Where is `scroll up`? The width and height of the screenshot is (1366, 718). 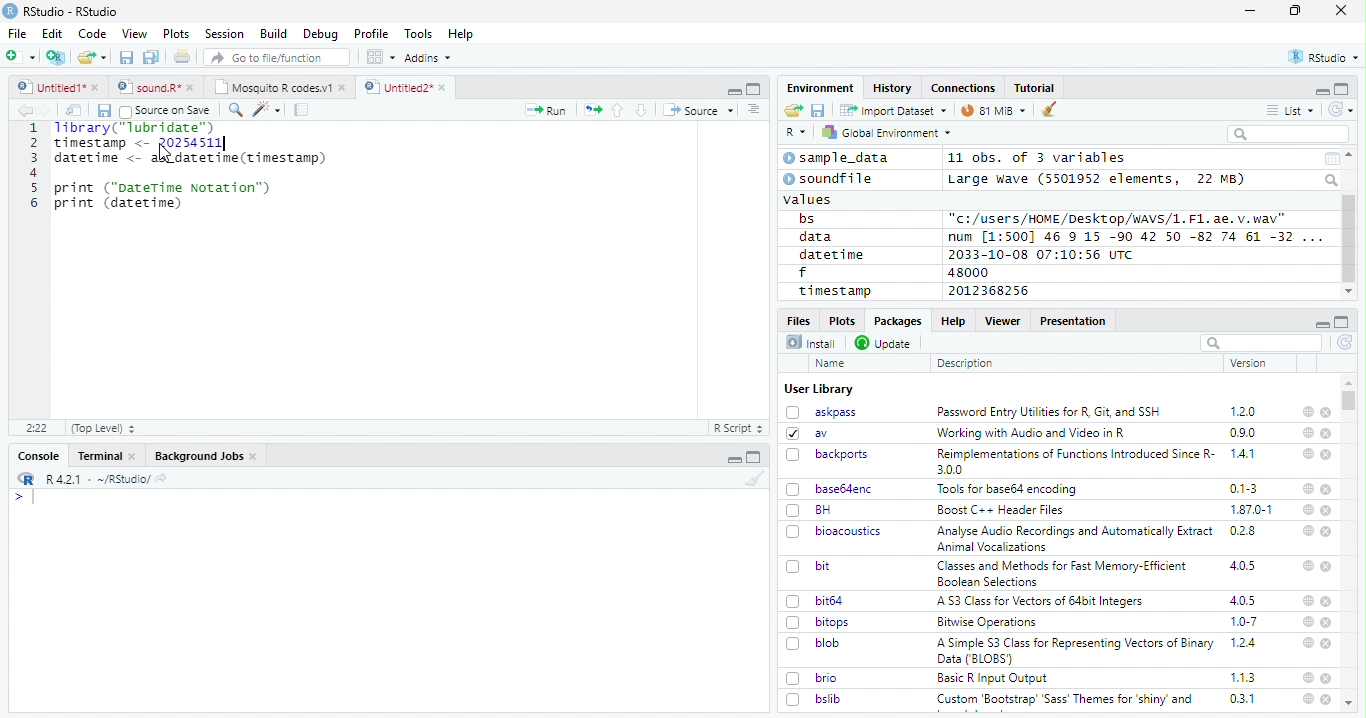 scroll up is located at coordinates (1351, 155).